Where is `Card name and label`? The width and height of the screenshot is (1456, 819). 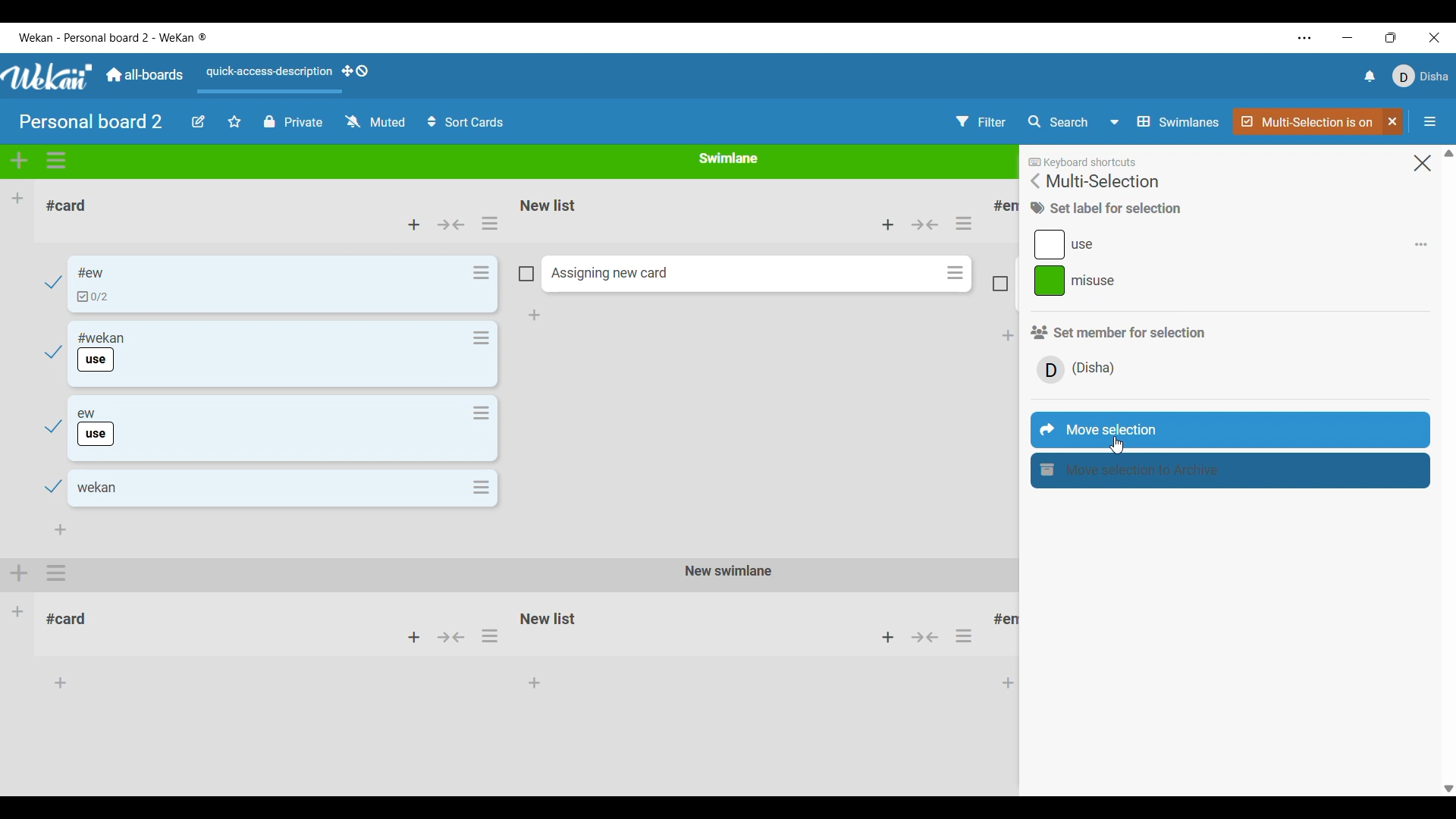
Card name and label is located at coordinates (108, 351).